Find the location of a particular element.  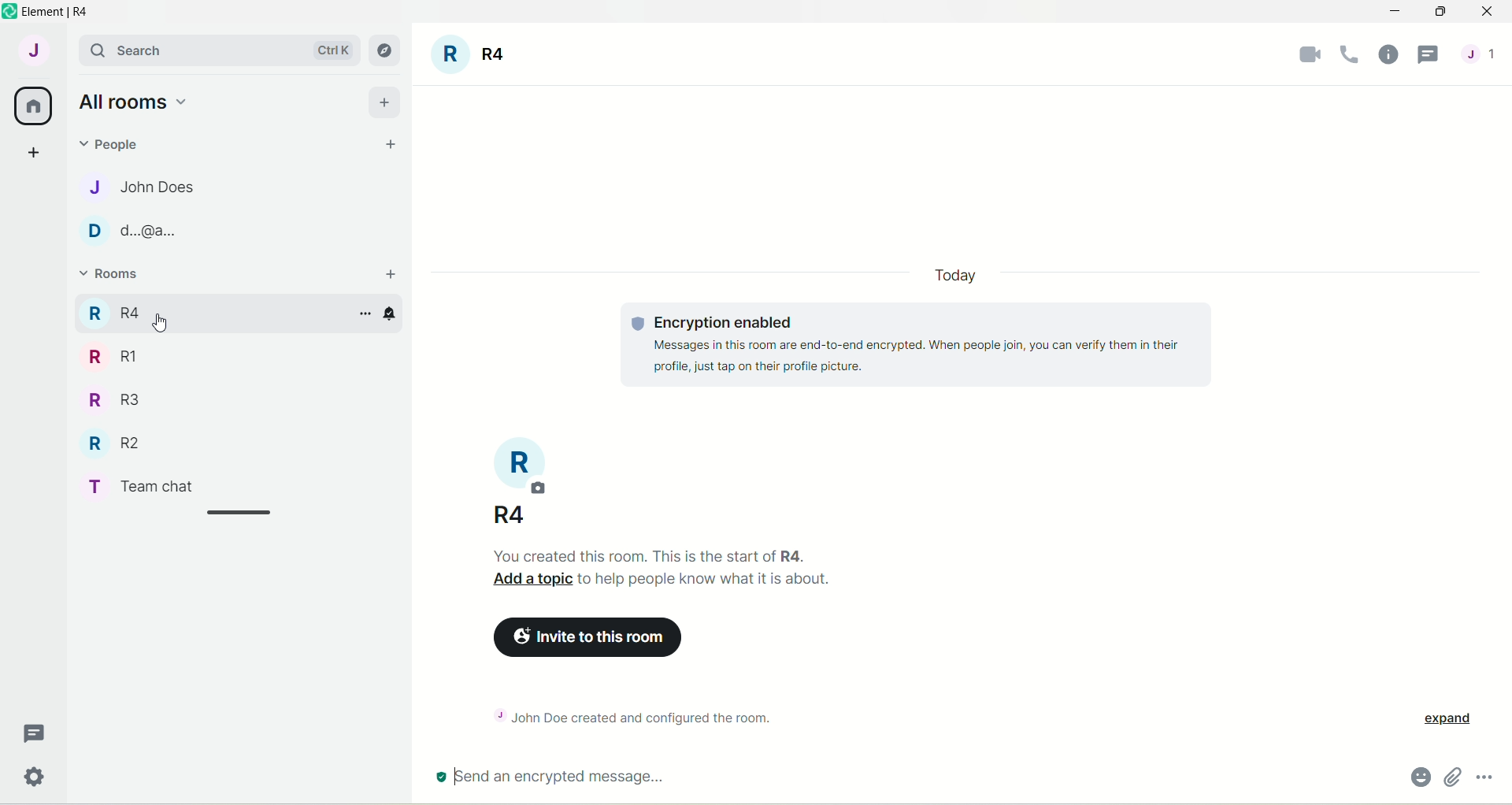

people is located at coordinates (1483, 54).